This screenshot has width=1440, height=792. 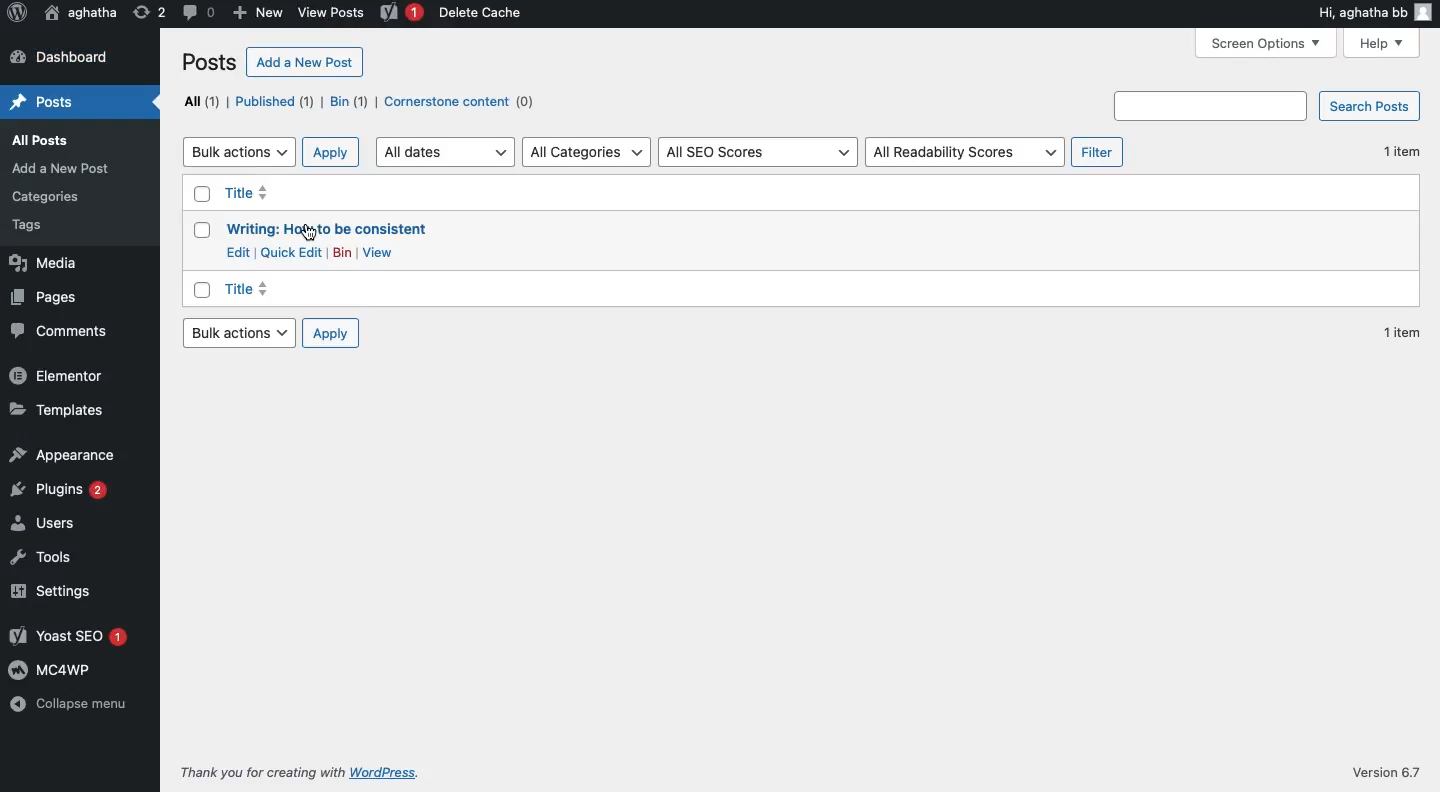 I want to click on Bin (1), so click(x=349, y=101).